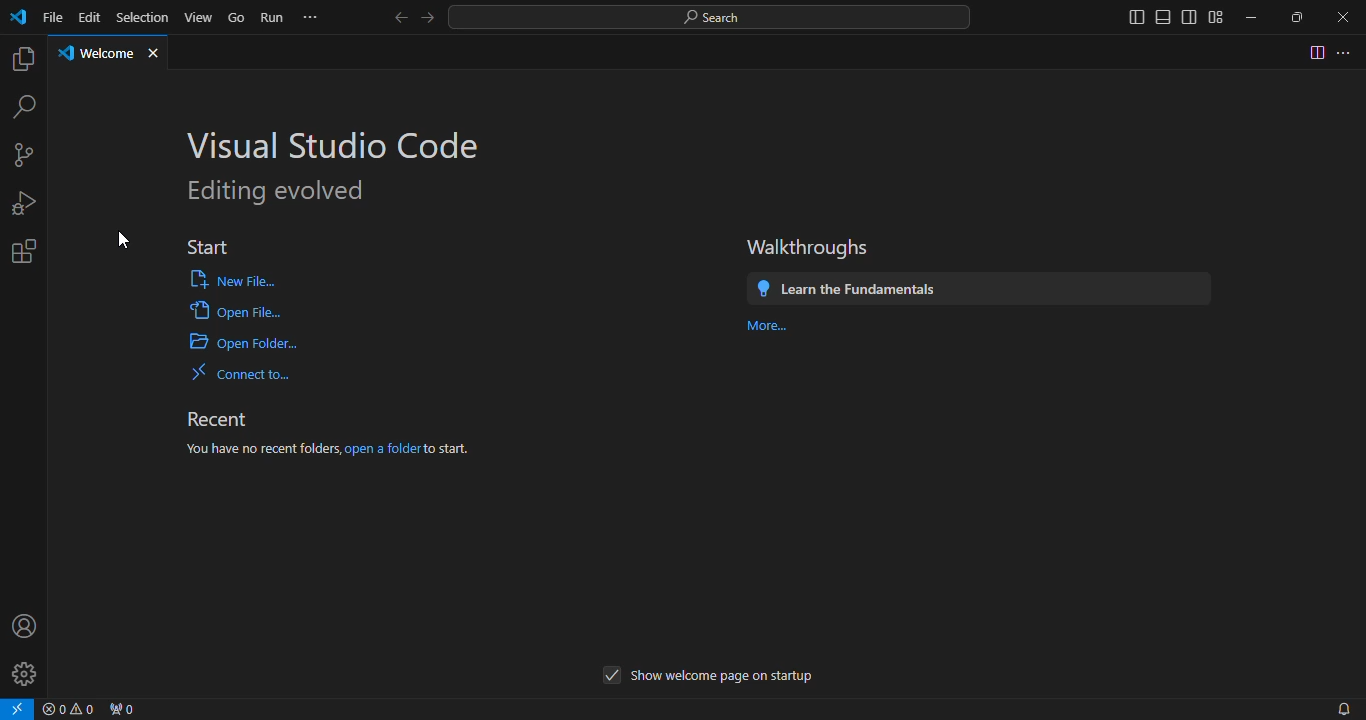 The image size is (1366, 720). Describe the element at coordinates (432, 17) in the screenshot. I see `next` at that location.